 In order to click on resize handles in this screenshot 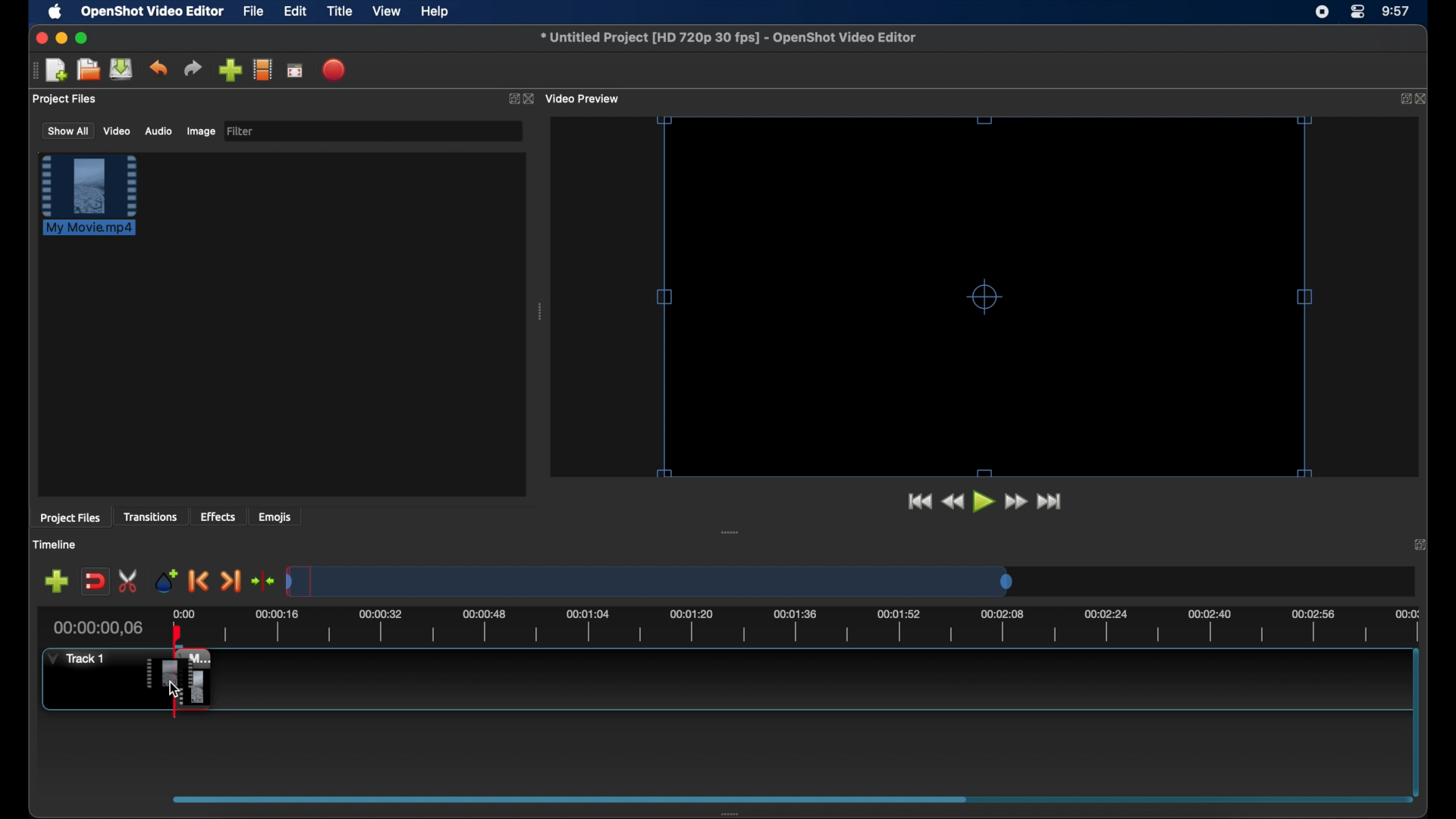, I will do `click(983, 296)`.